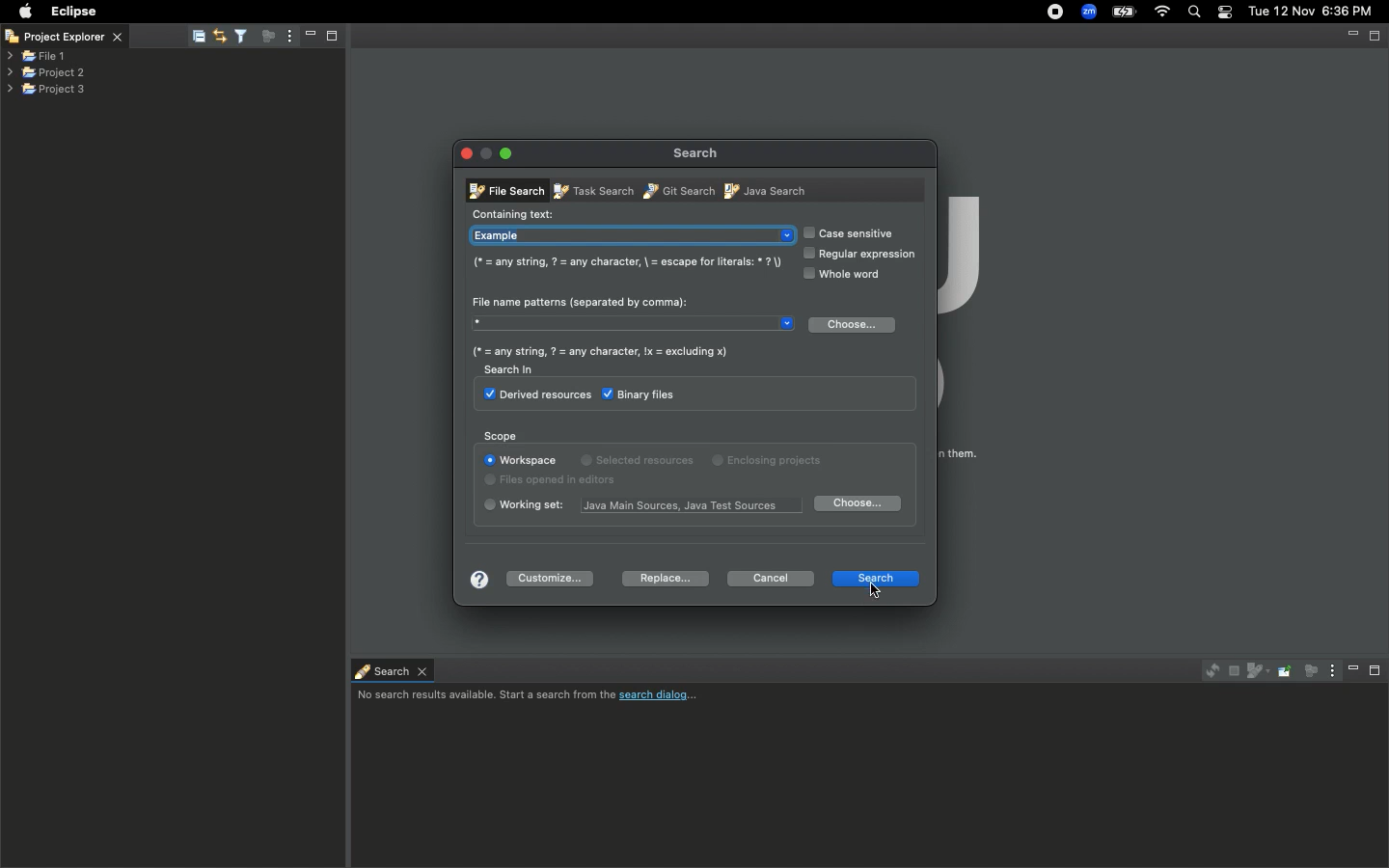 This screenshot has width=1389, height=868. What do you see at coordinates (1162, 13) in the screenshot?
I see `Internet` at bounding box center [1162, 13].